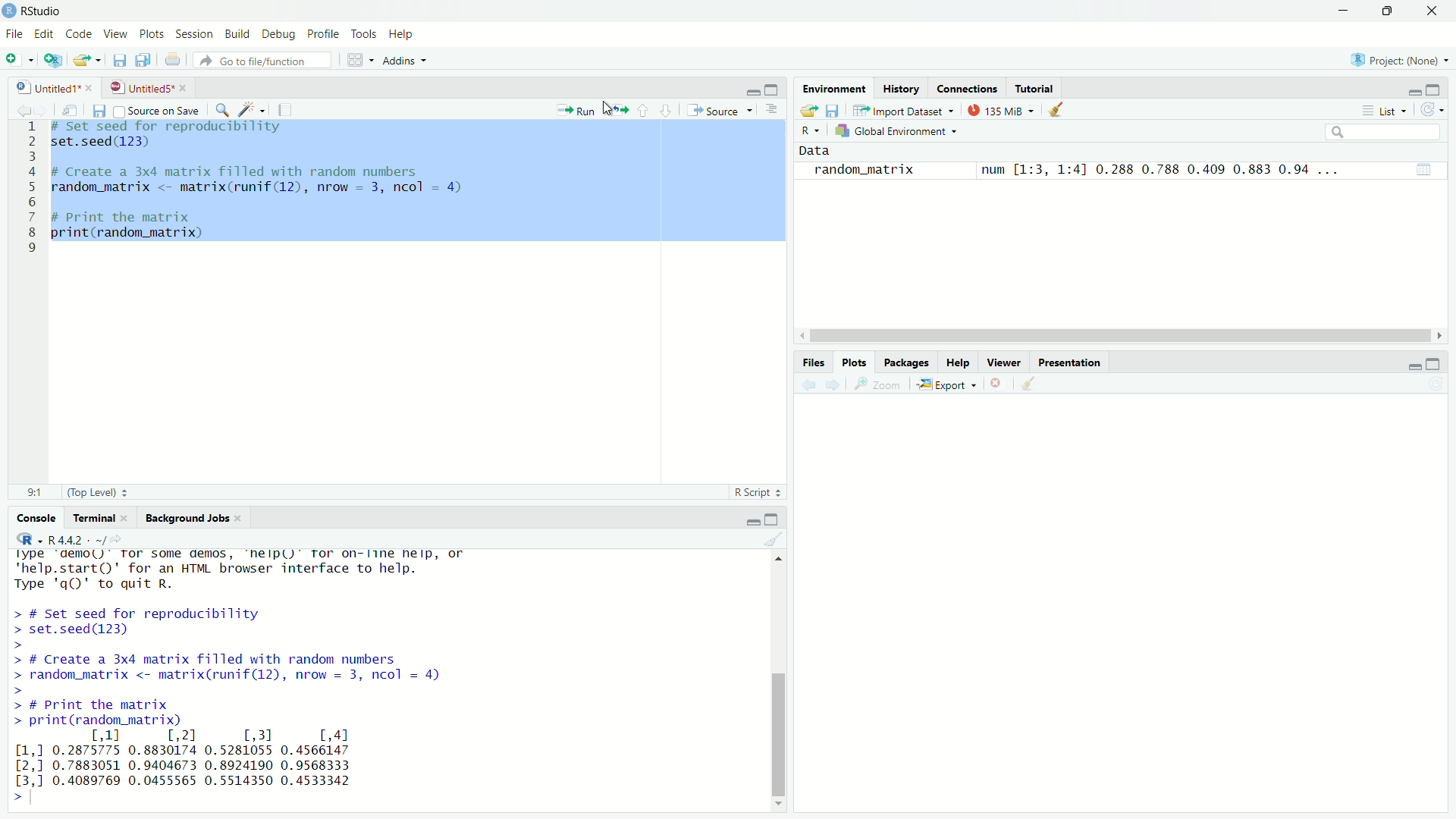 This screenshot has height=819, width=1456. Describe the element at coordinates (1436, 111) in the screenshot. I see `refresh` at that location.